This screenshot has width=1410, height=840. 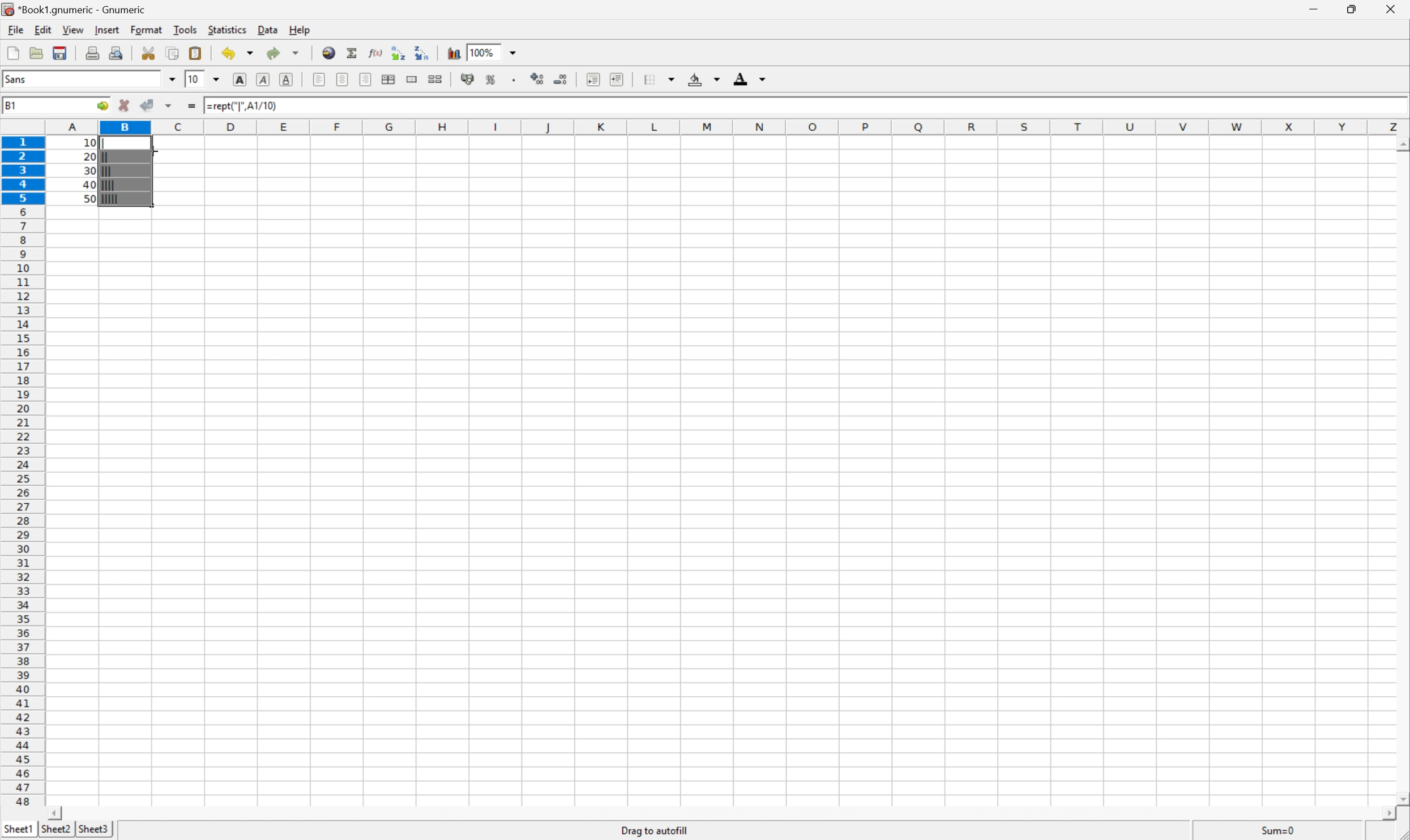 What do you see at coordinates (1401, 798) in the screenshot?
I see `Scroll Down` at bounding box center [1401, 798].